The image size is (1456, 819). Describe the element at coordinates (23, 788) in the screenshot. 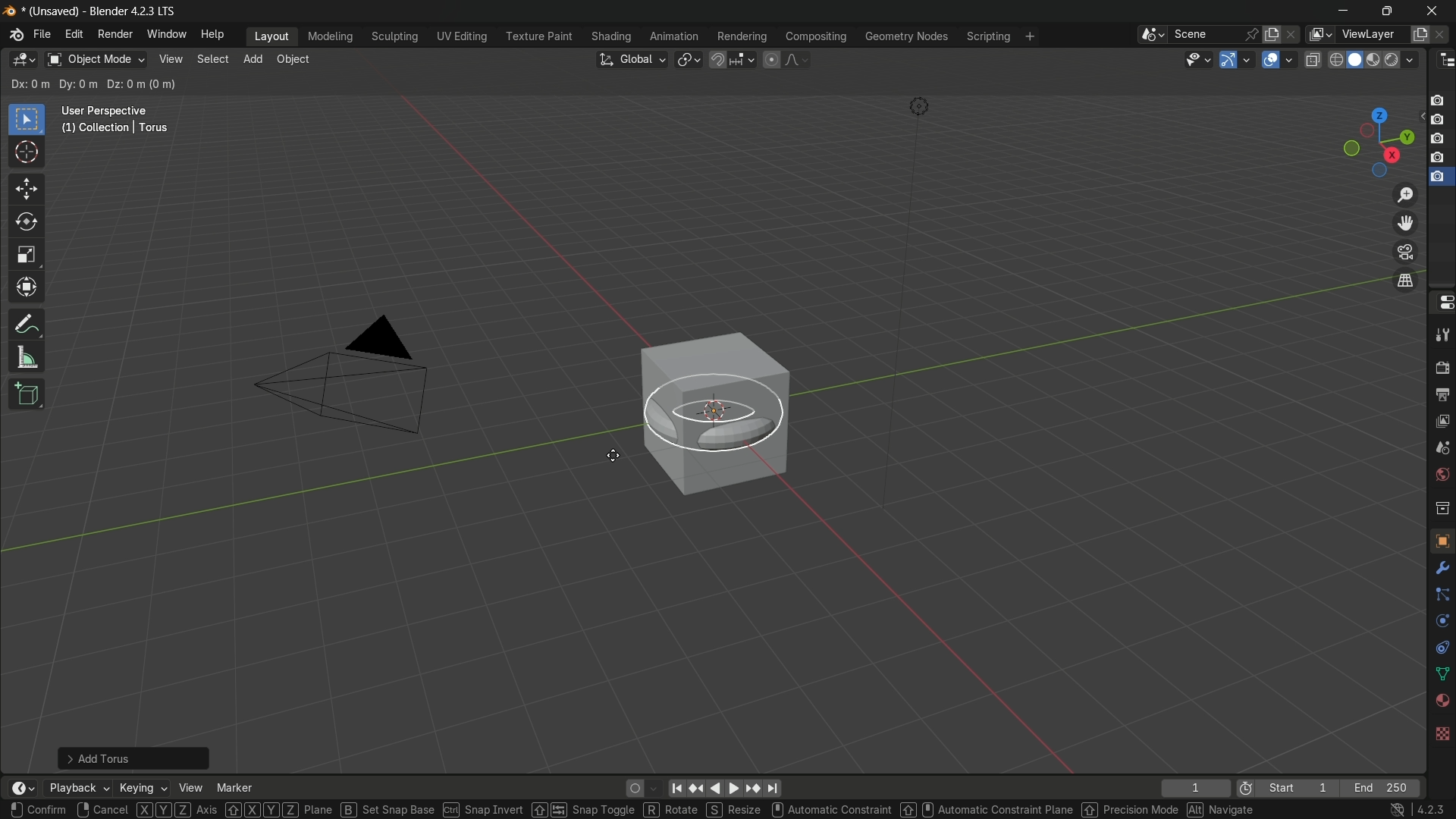

I see `timeline` at that location.